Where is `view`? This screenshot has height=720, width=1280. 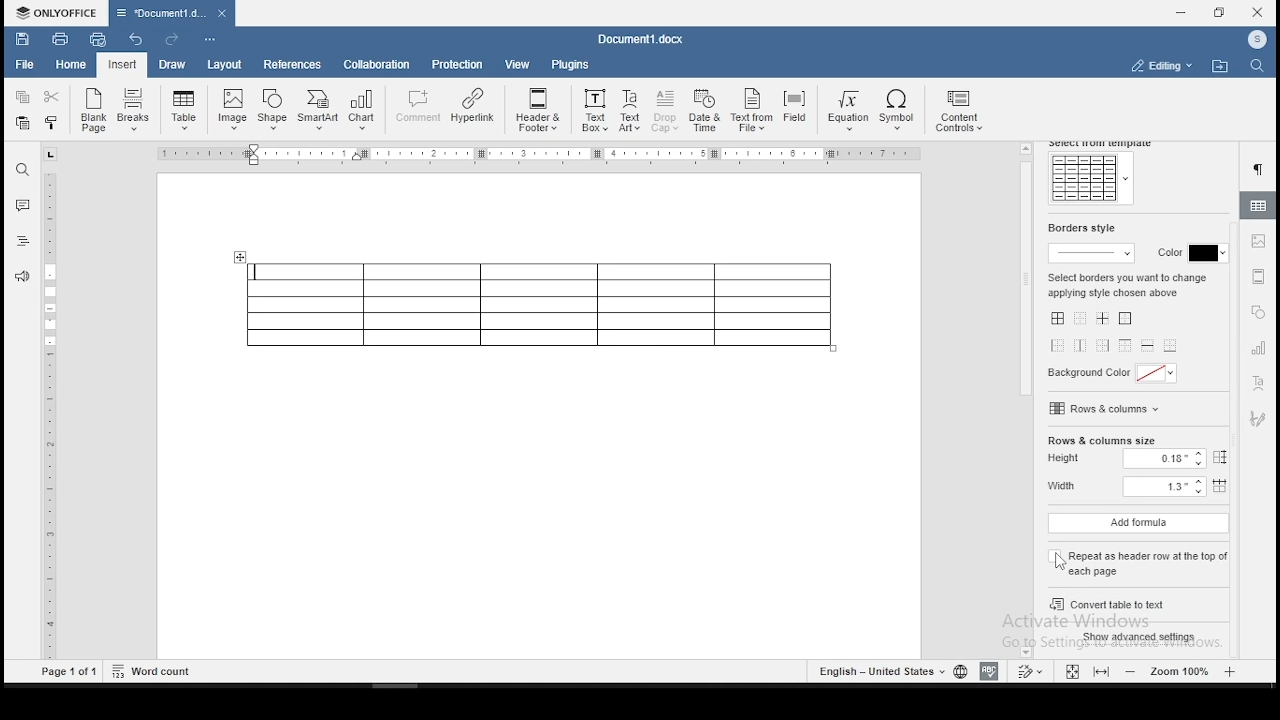 view is located at coordinates (519, 64).